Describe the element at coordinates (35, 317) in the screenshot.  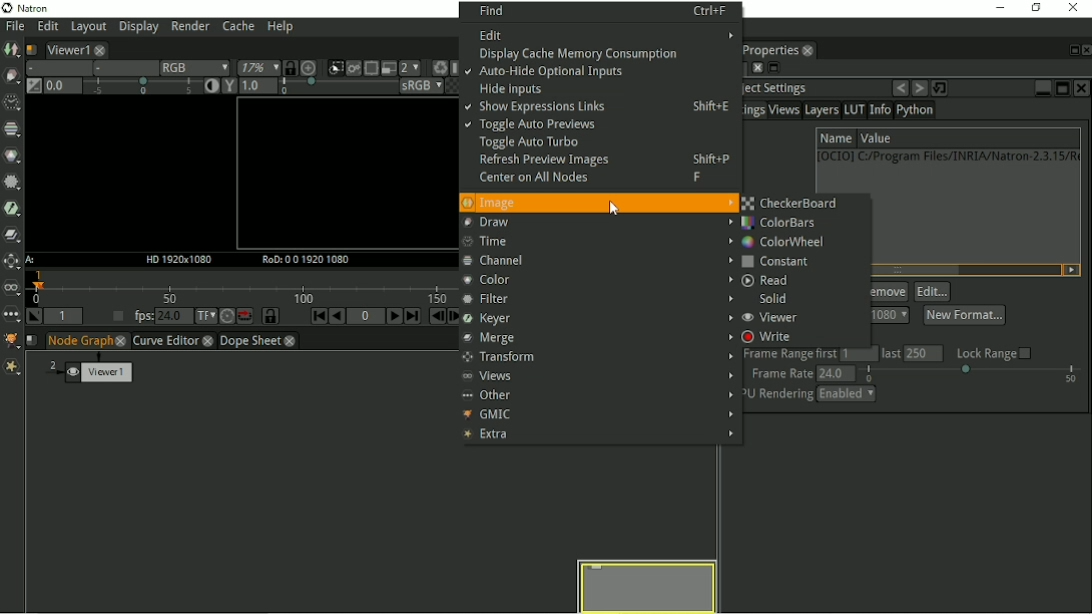
I see `Set playback in point` at that location.